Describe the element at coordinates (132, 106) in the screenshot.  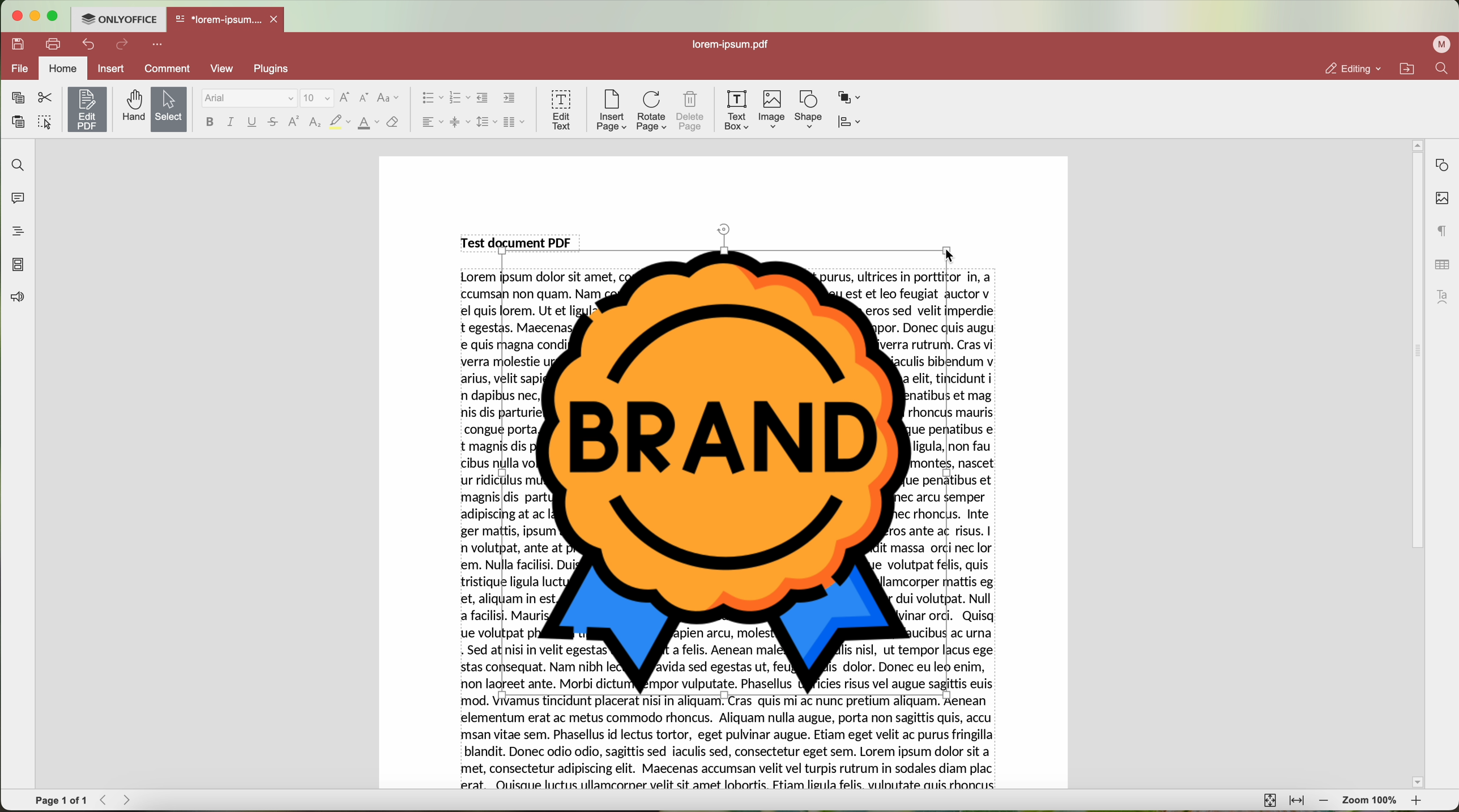
I see `hand` at that location.